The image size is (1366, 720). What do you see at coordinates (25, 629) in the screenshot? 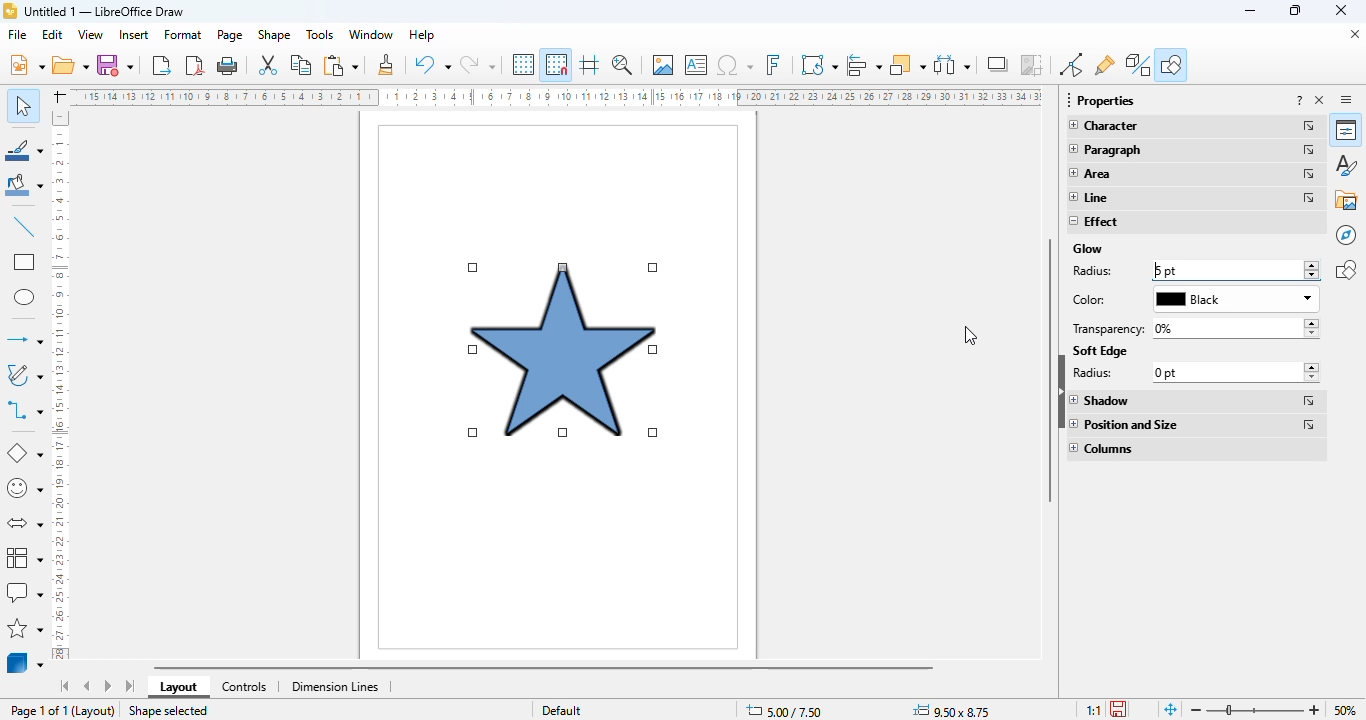
I see `stars and banners` at bounding box center [25, 629].